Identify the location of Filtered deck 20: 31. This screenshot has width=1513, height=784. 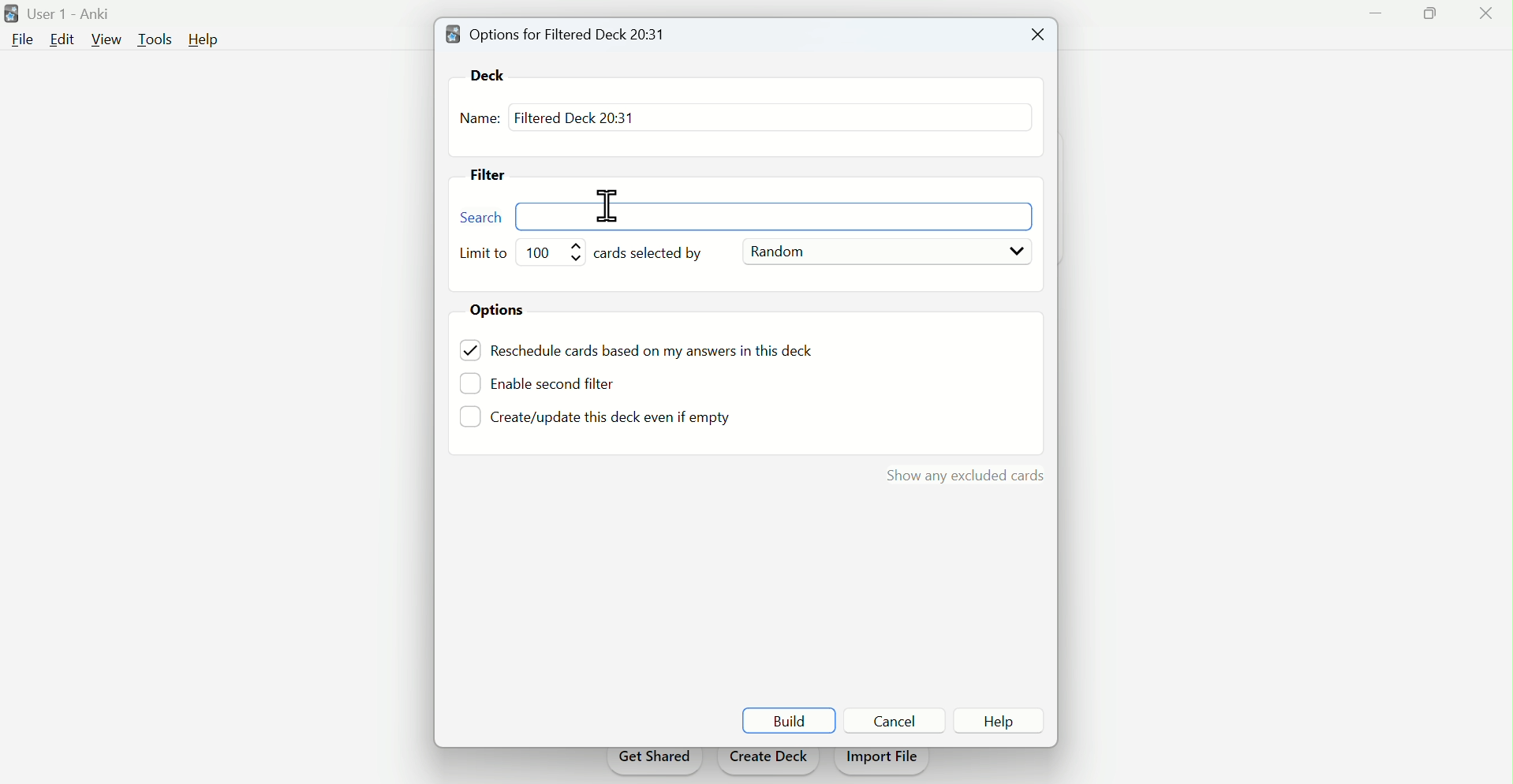
(573, 117).